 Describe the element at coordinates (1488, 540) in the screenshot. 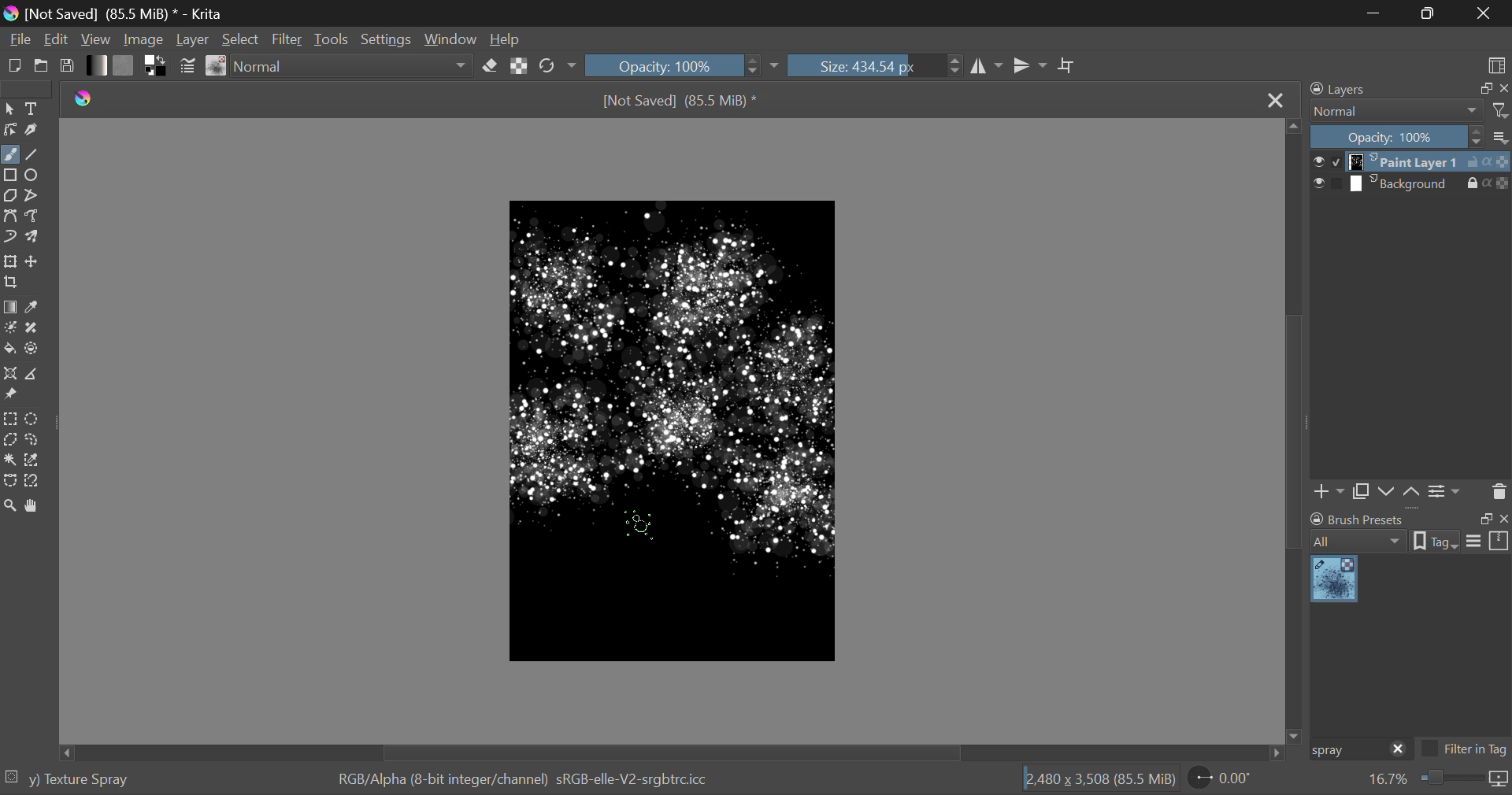

I see `options` at that location.